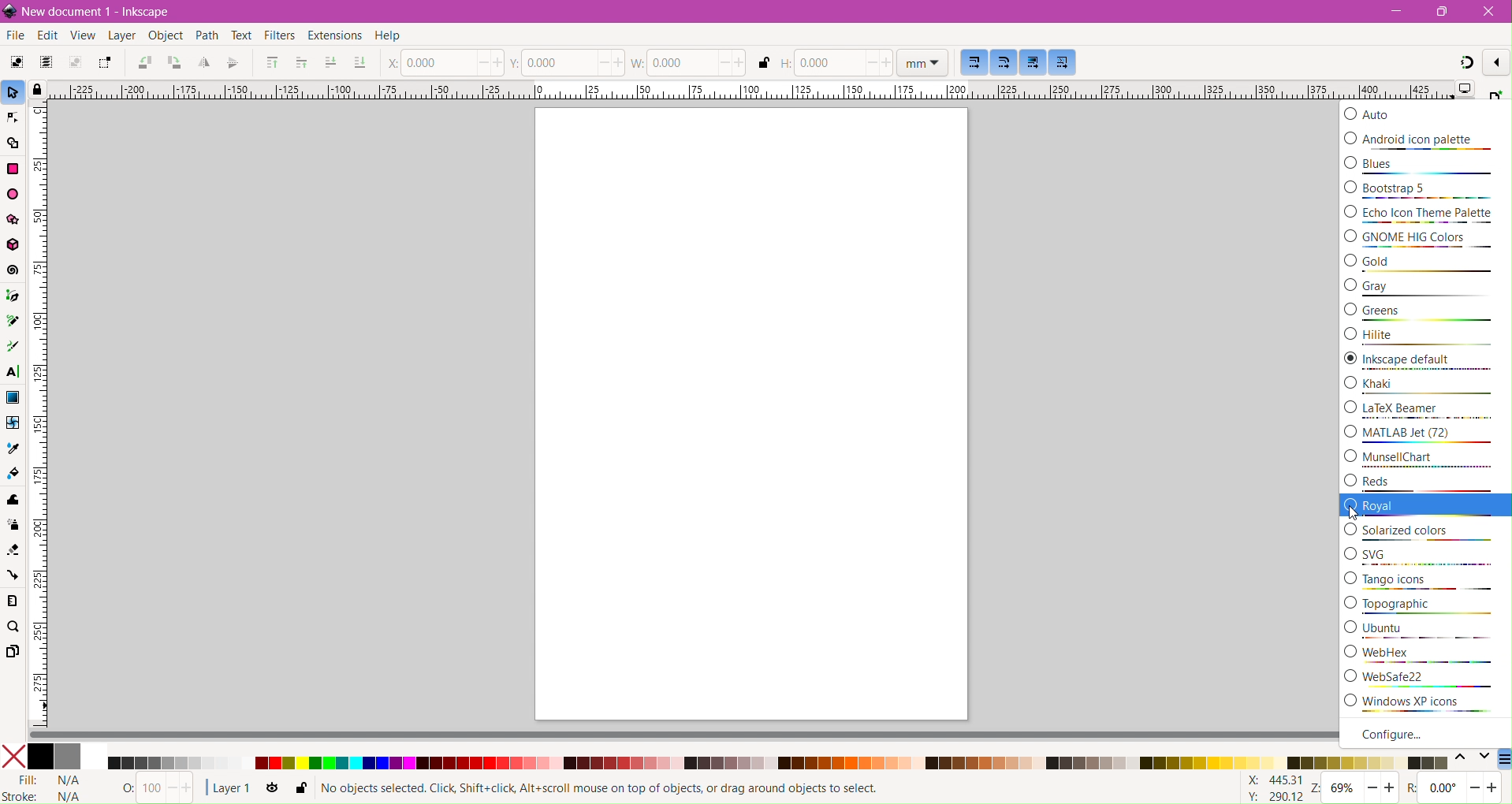  I want to click on Royal, so click(1426, 507).